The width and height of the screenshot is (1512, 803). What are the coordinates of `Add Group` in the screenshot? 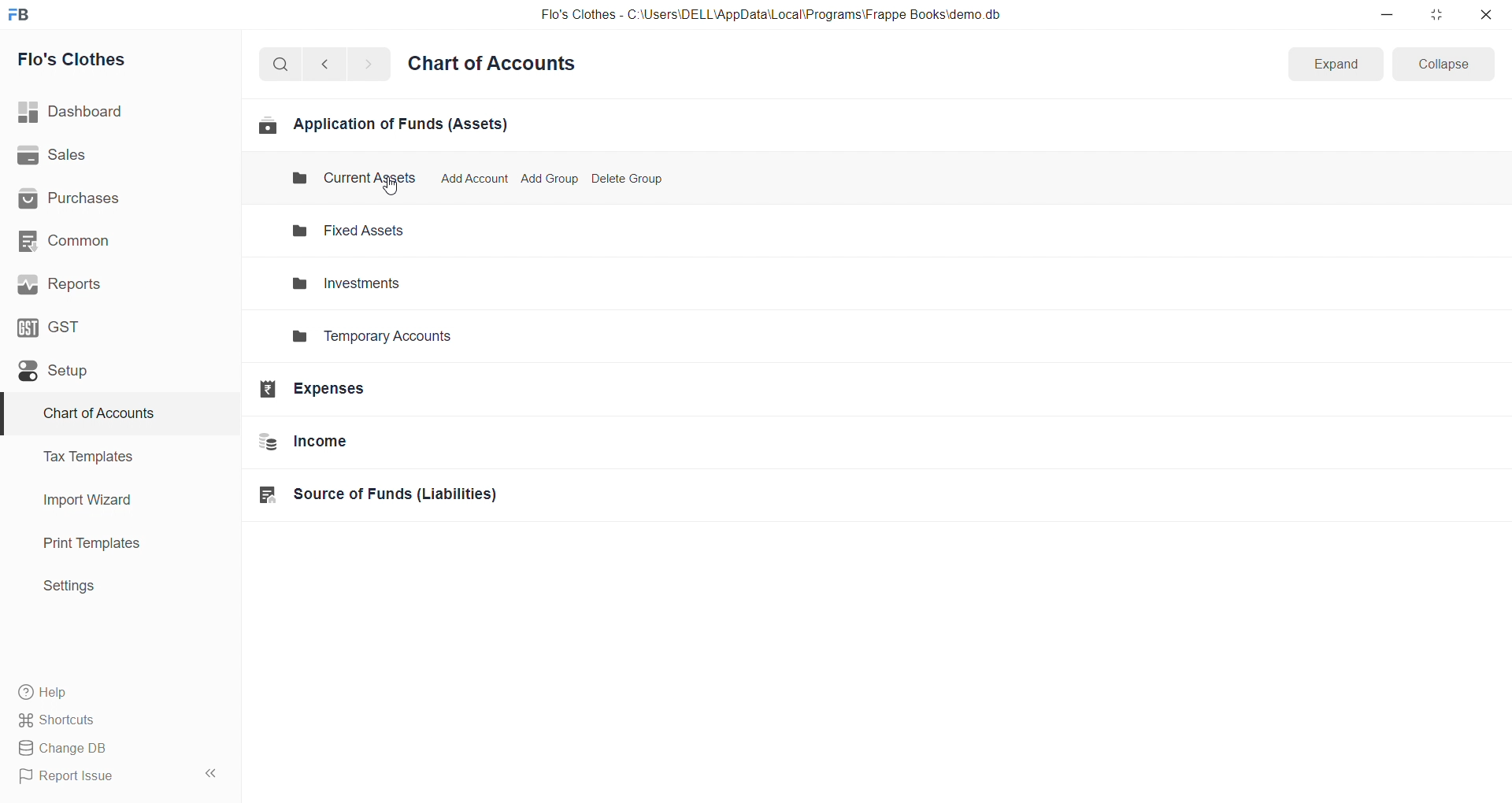 It's located at (545, 179).